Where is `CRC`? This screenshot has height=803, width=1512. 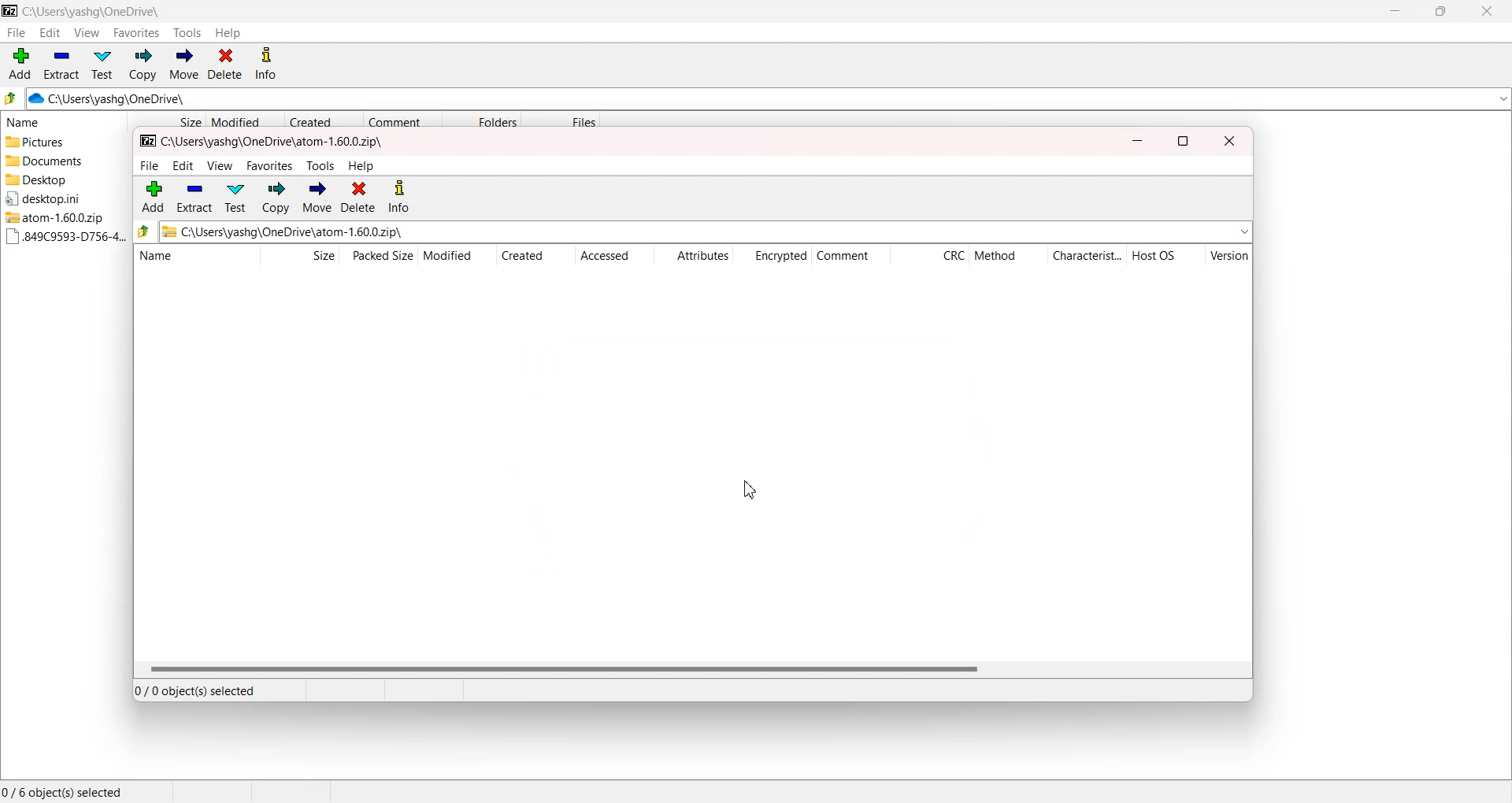 CRC is located at coordinates (929, 257).